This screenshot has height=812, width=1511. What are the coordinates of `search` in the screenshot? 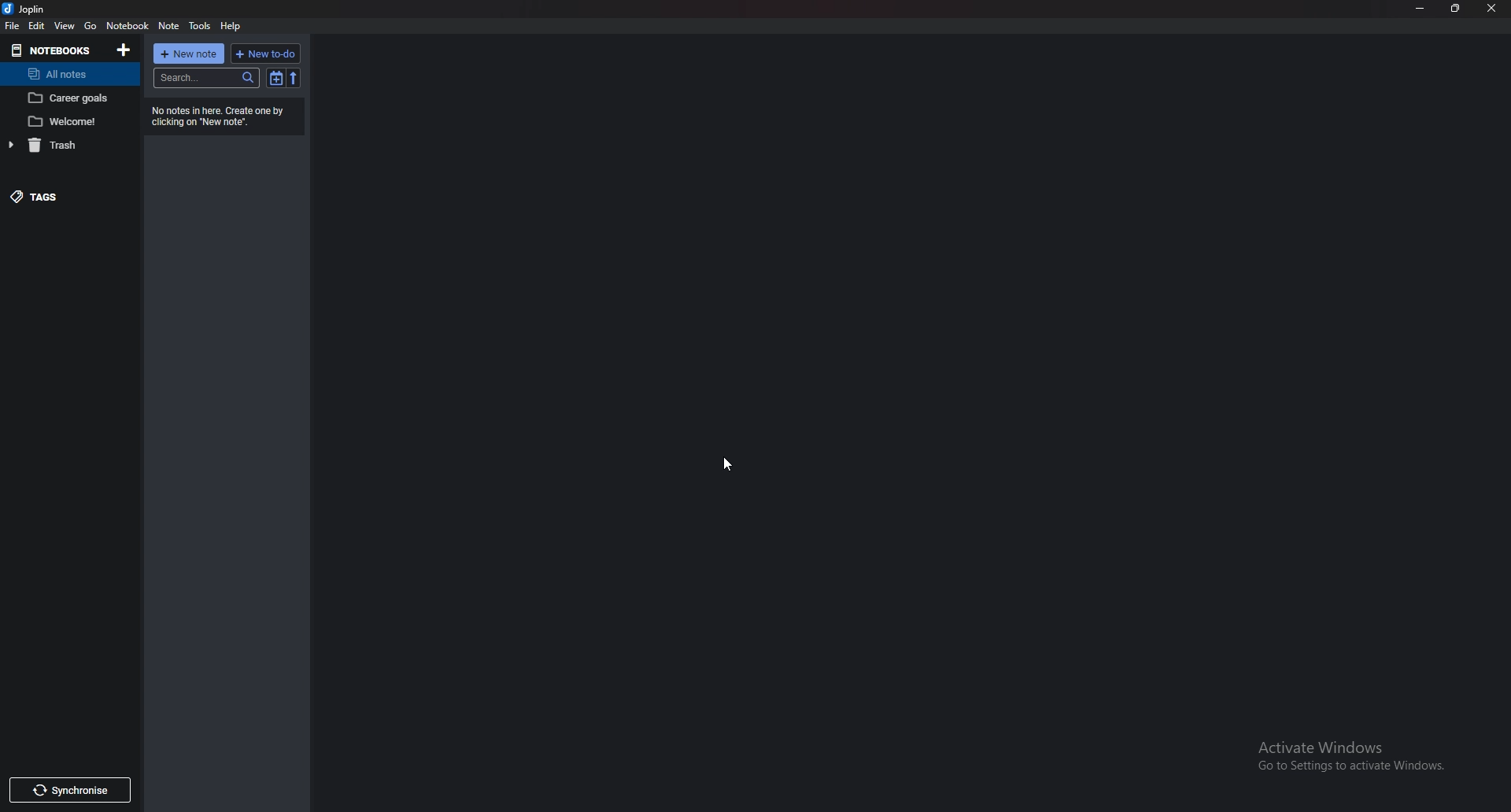 It's located at (207, 79).